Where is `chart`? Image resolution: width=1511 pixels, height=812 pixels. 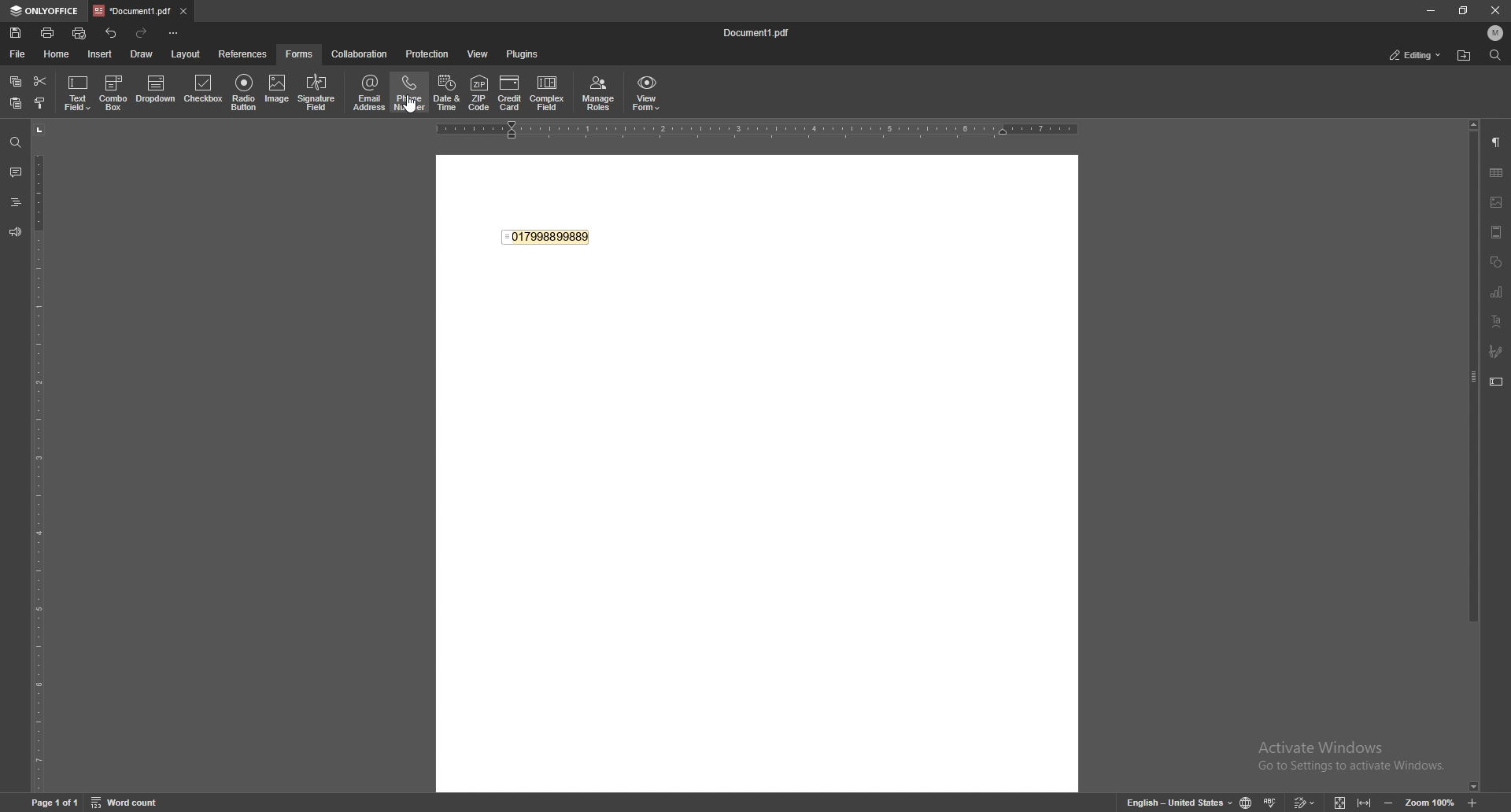
chart is located at coordinates (1497, 291).